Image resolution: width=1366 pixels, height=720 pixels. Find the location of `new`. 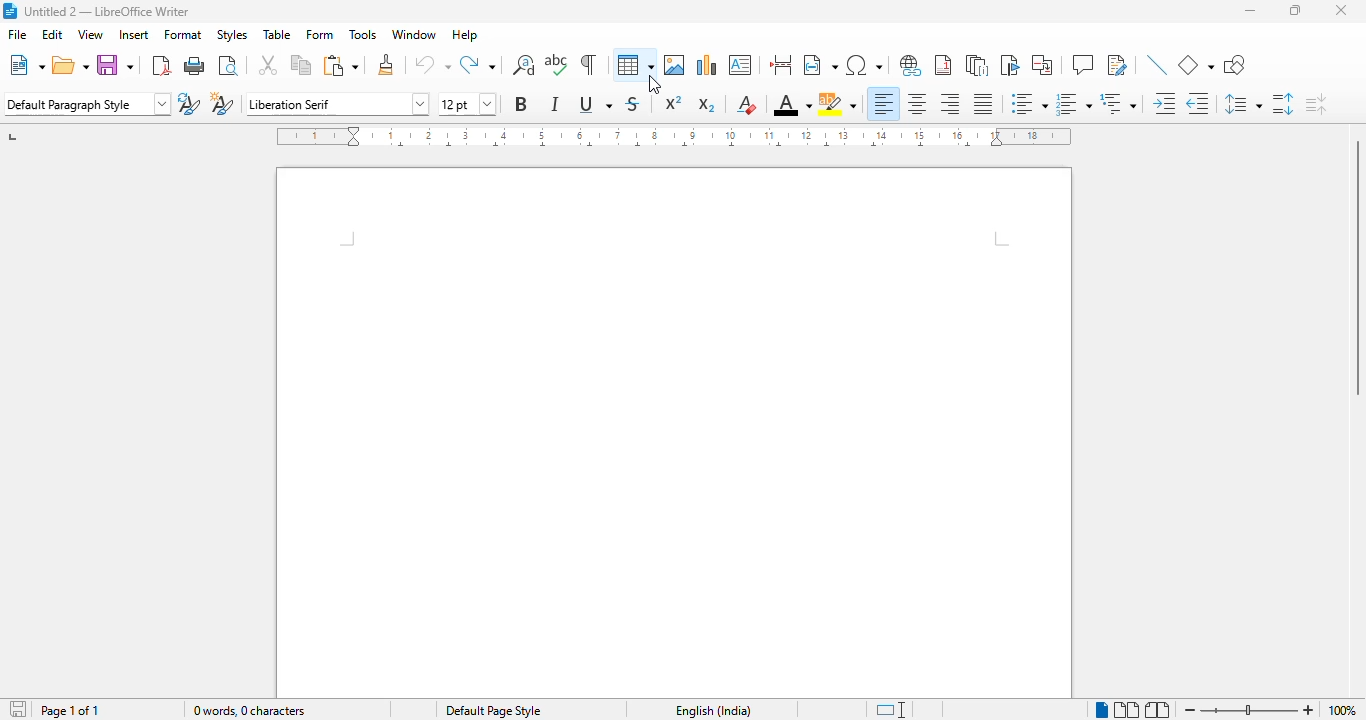

new is located at coordinates (25, 64).